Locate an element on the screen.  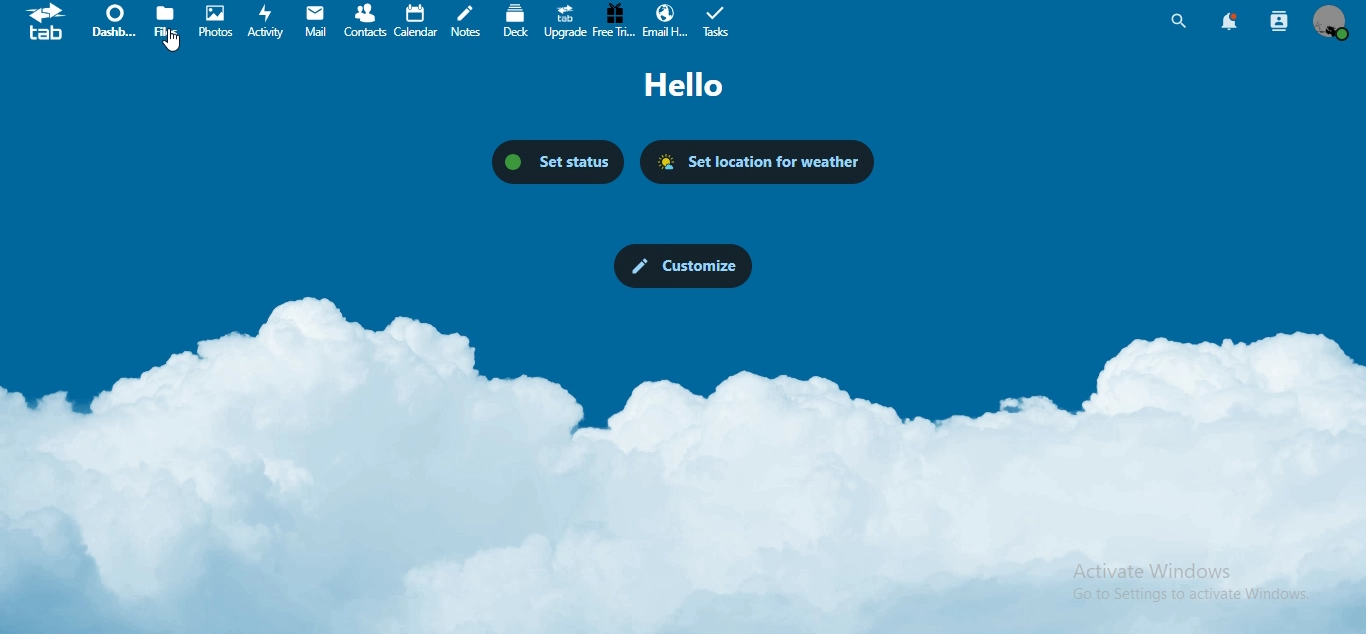
customize is located at coordinates (680, 266).